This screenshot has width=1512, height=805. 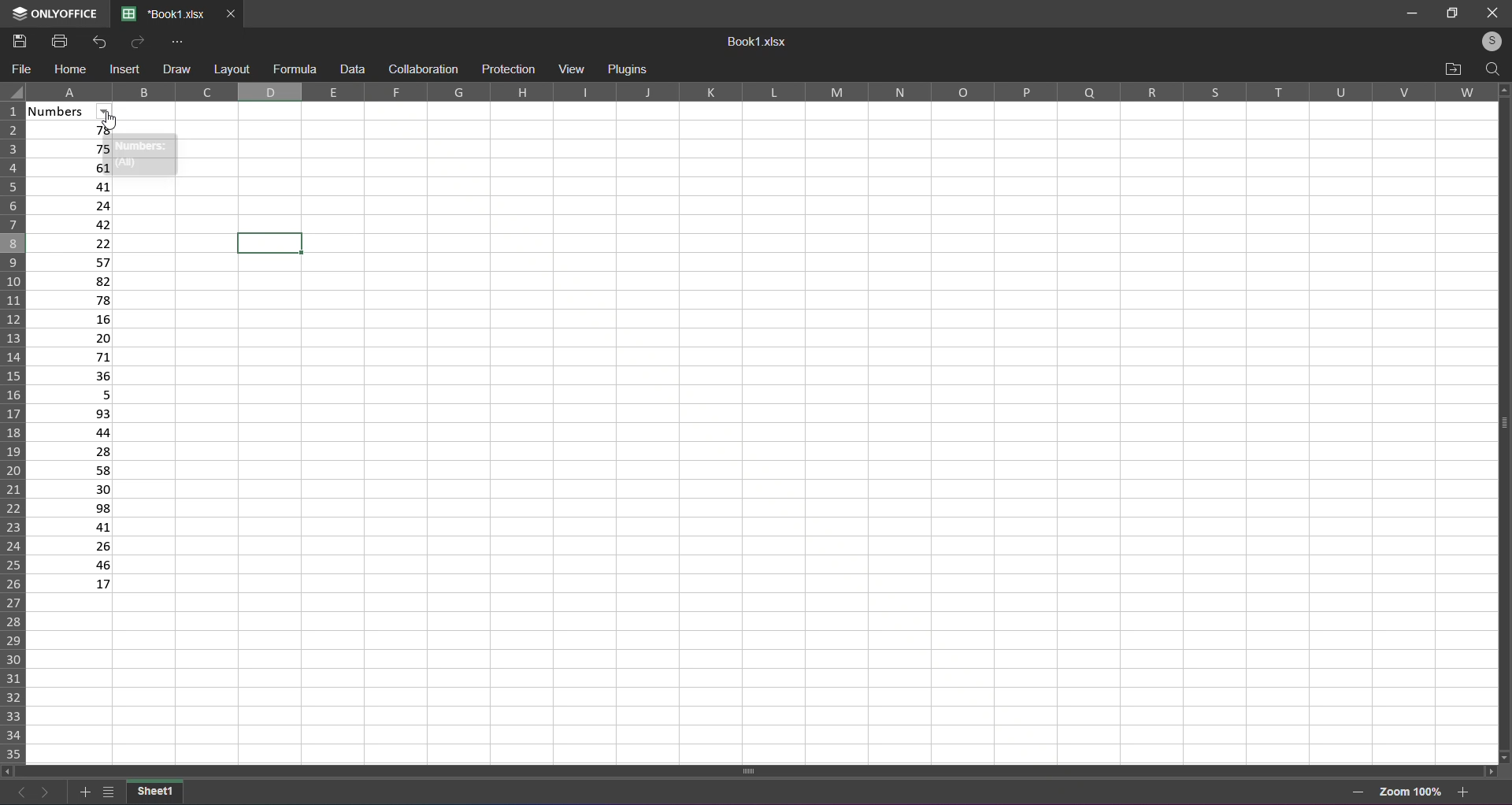 What do you see at coordinates (754, 769) in the screenshot?
I see `horizontal scroll bar` at bounding box center [754, 769].